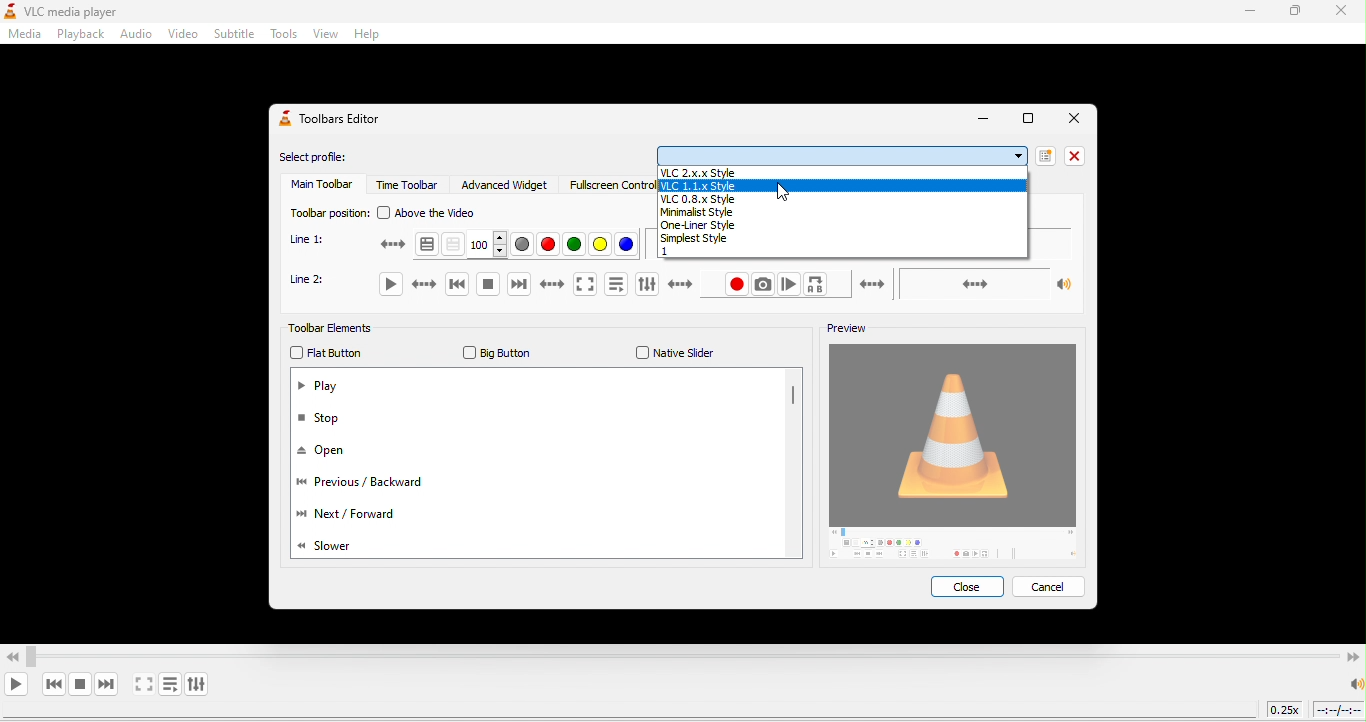 The height and width of the screenshot is (722, 1366). What do you see at coordinates (508, 185) in the screenshot?
I see `advanced widget` at bounding box center [508, 185].